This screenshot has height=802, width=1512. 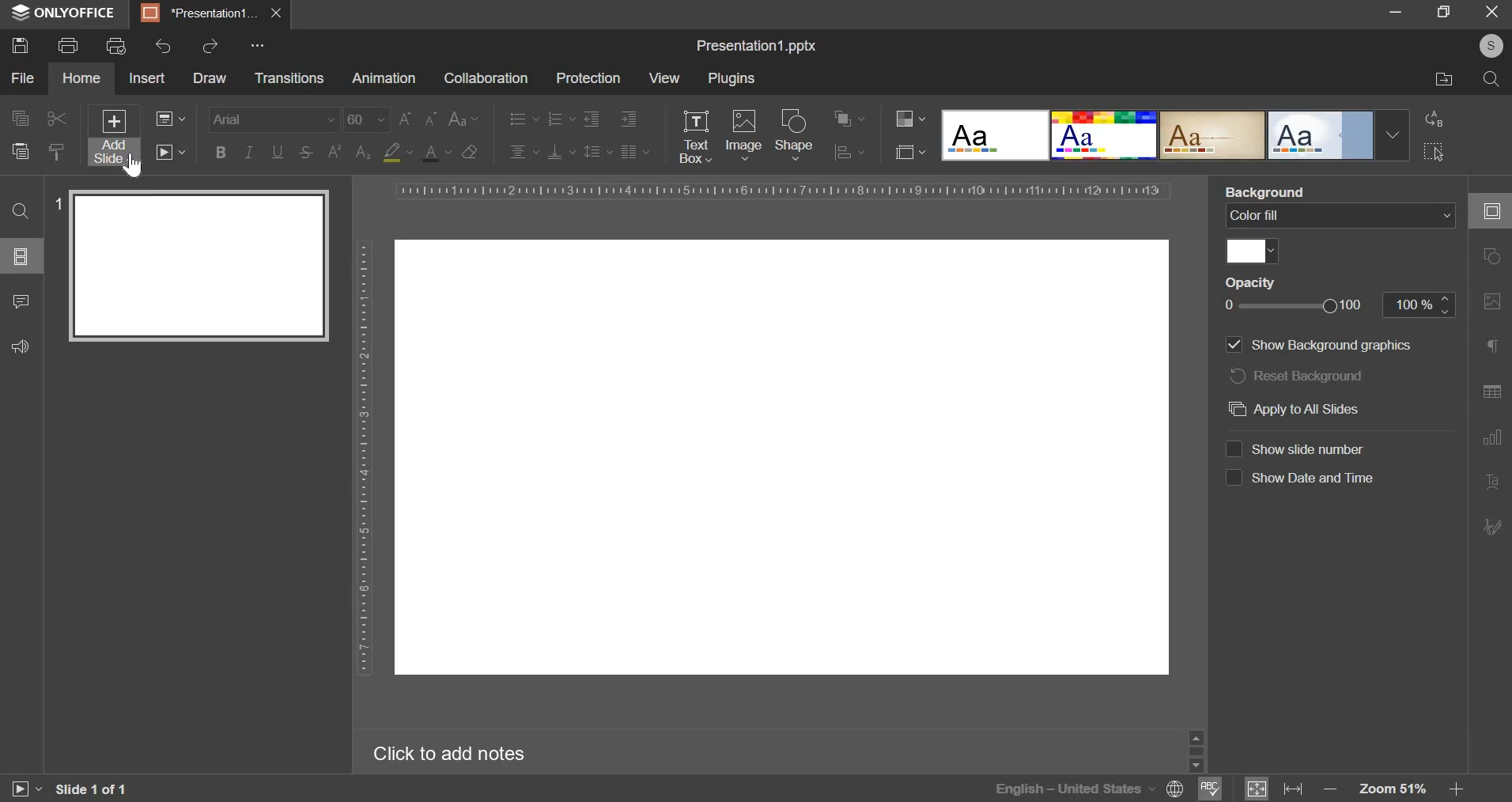 What do you see at coordinates (1257, 789) in the screenshot?
I see `fit to slide` at bounding box center [1257, 789].